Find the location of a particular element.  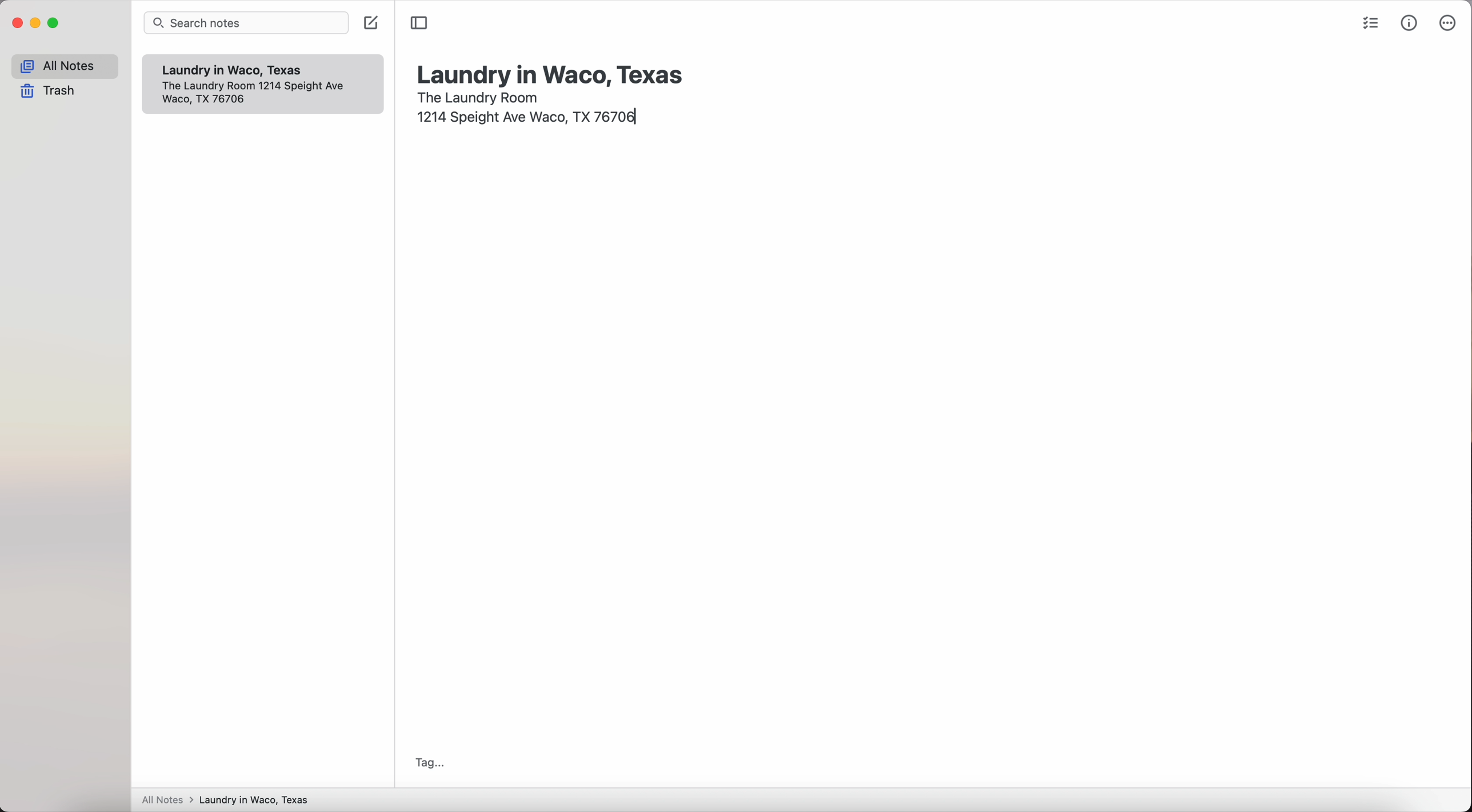

All notes > Laundry in Waco, Texas is located at coordinates (230, 801).